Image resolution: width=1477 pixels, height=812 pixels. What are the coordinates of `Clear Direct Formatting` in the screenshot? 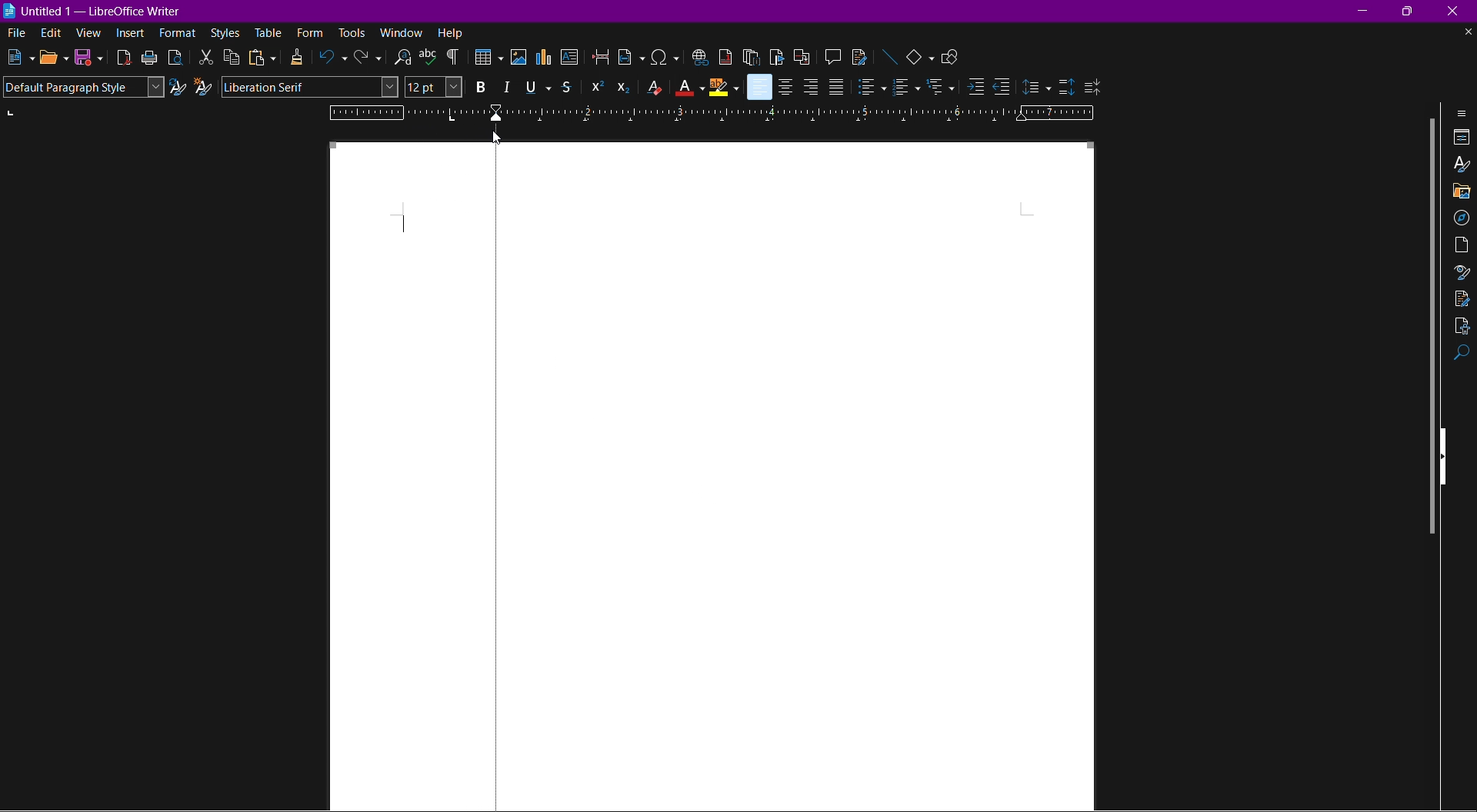 It's located at (653, 88).